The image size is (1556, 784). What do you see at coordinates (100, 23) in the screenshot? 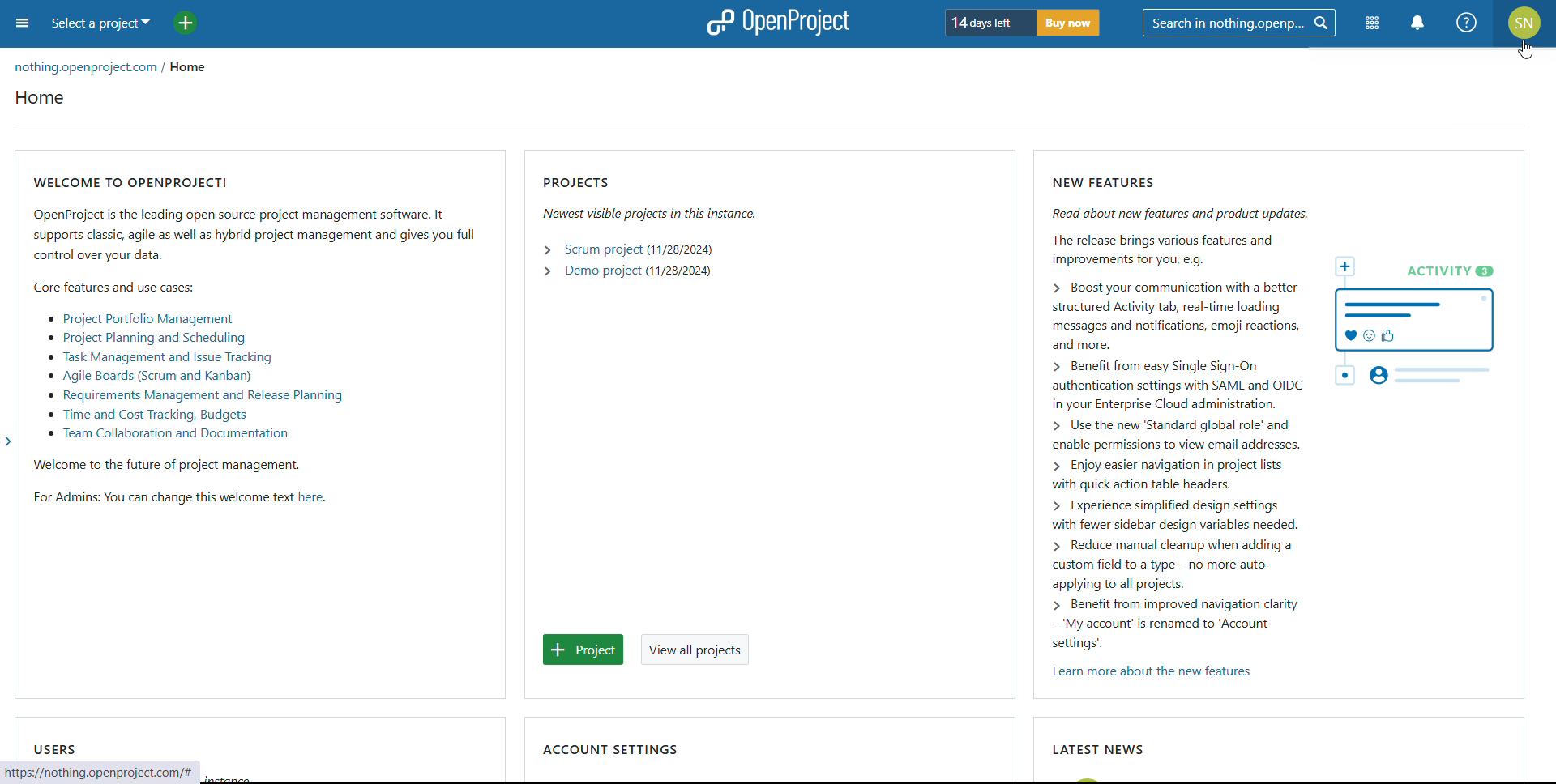
I see `select a project` at bounding box center [100, 23].